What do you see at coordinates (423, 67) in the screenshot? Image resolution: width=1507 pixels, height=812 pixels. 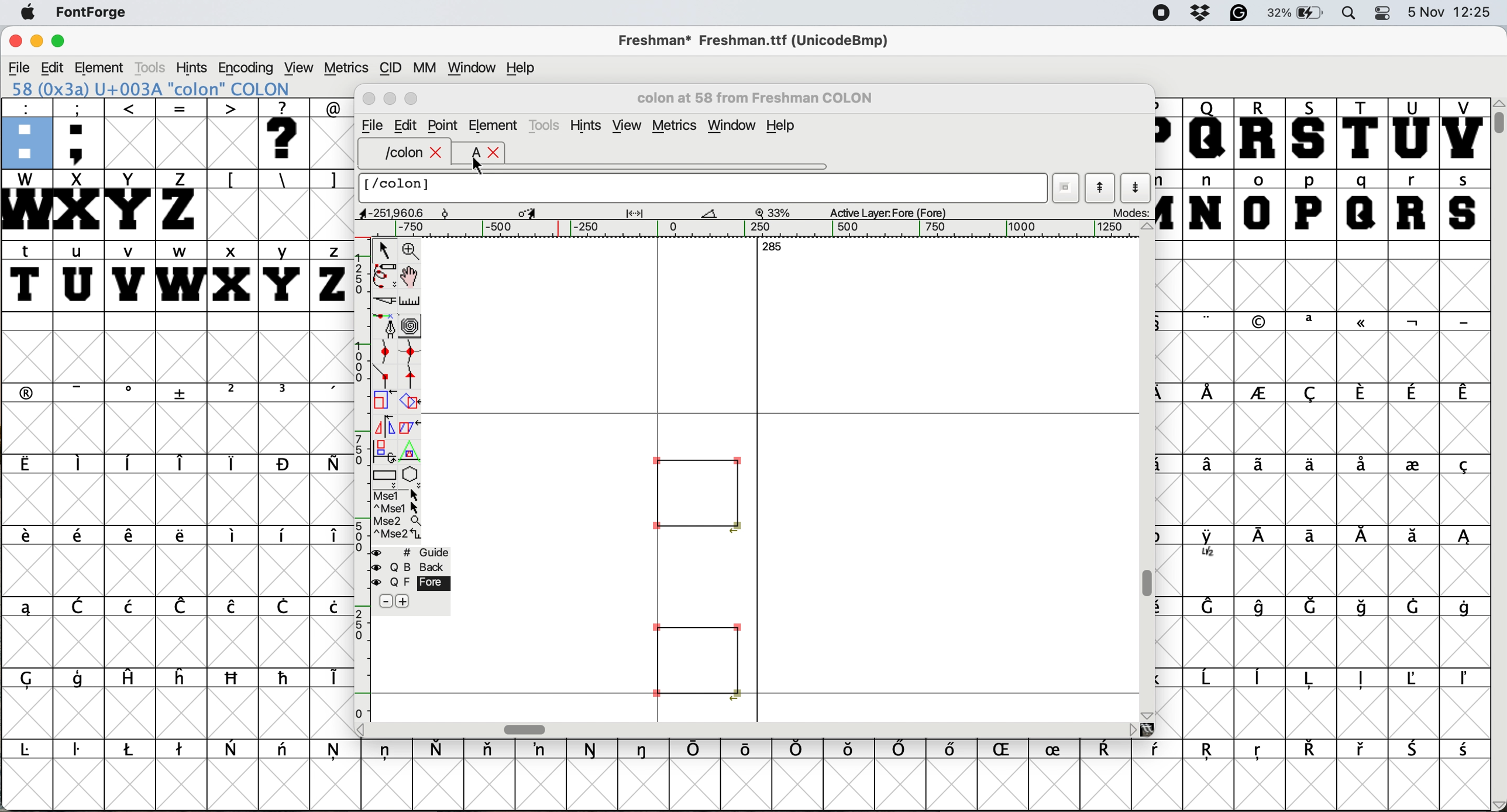 I see `mm` at bounding box center [423, 67].